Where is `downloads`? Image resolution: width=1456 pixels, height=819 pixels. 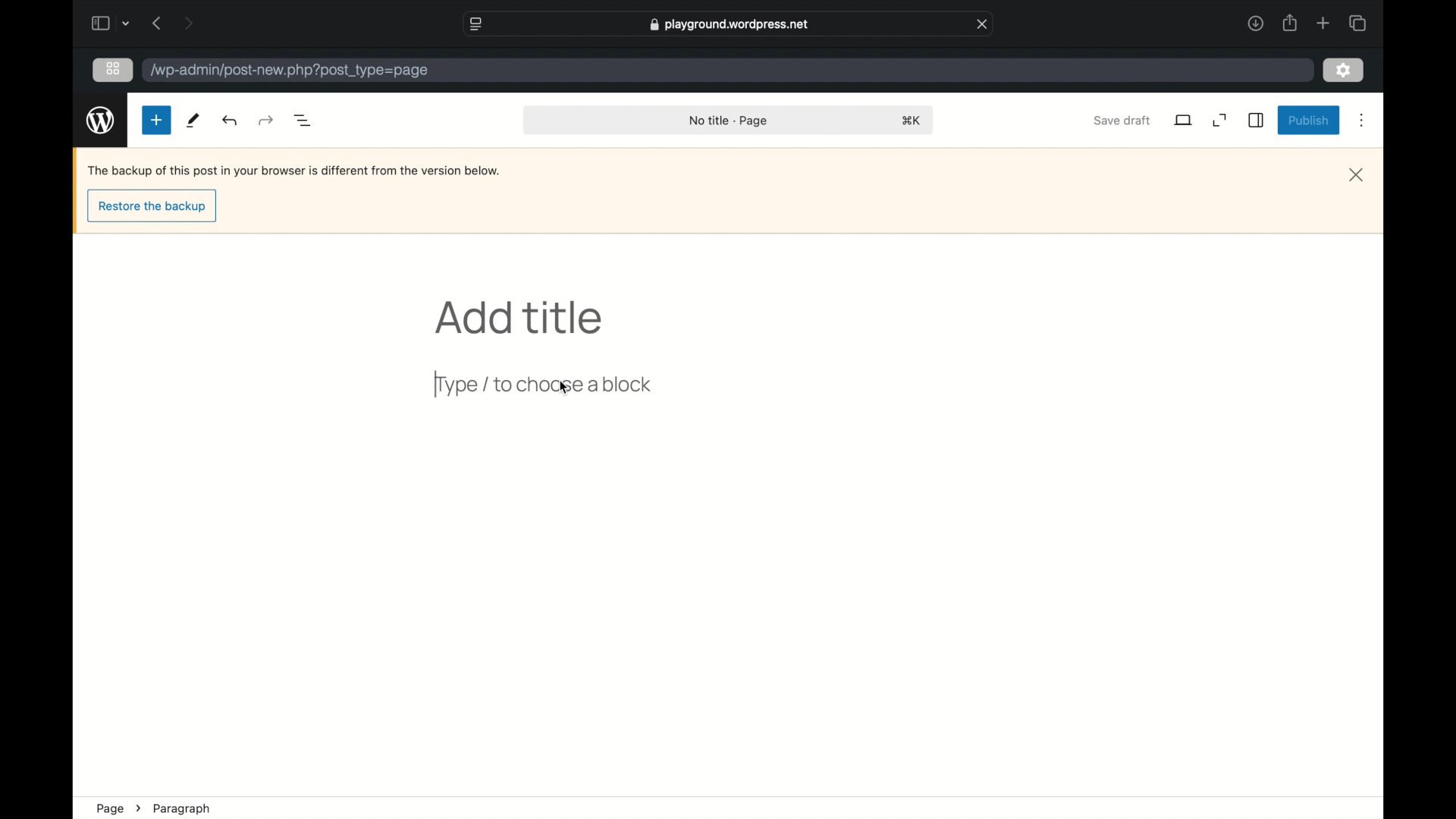
downloads is located at coordinates (1256, 23).